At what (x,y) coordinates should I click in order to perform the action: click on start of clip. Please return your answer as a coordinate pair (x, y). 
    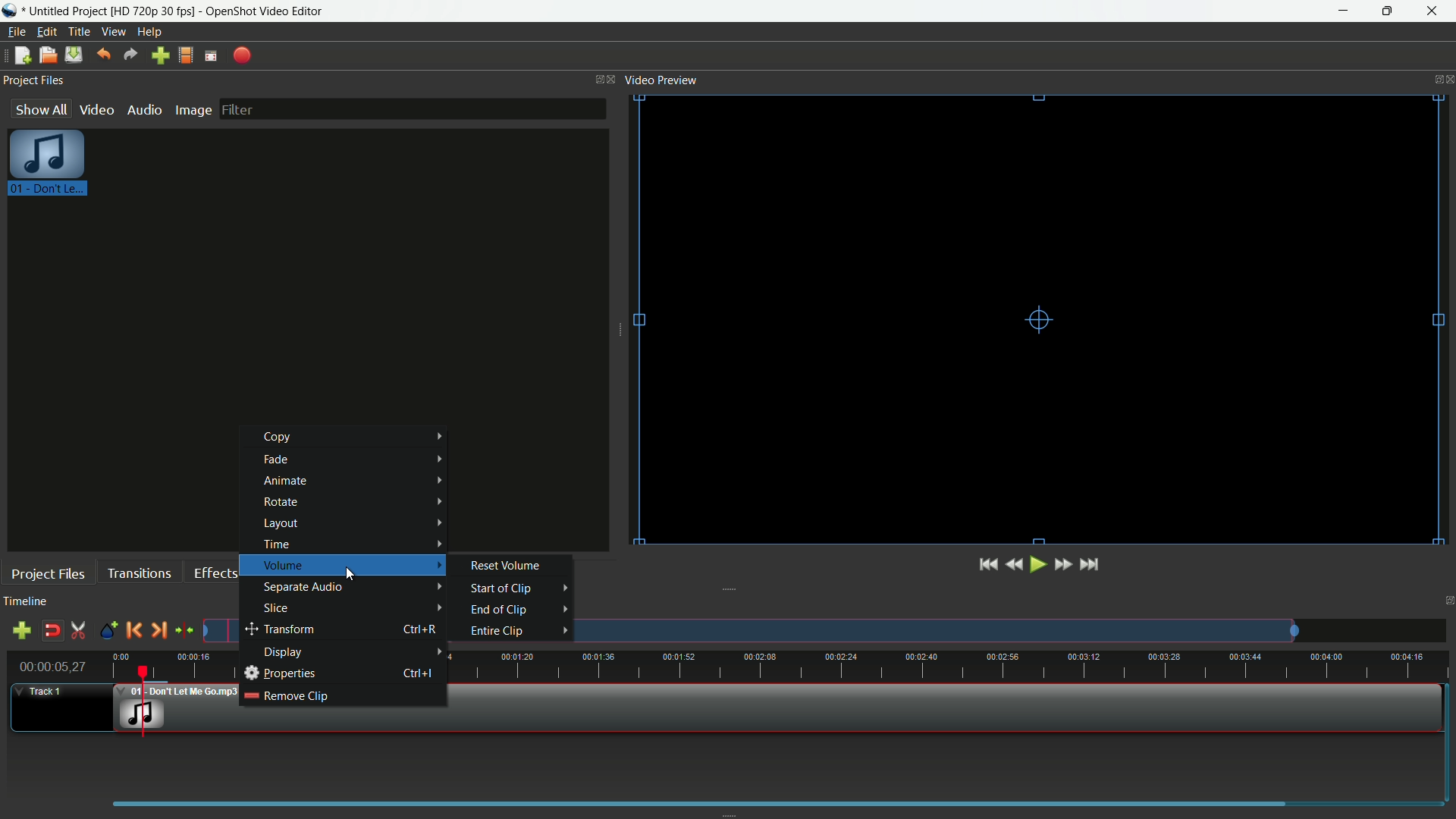
    Looking at the image, I should click on (504, 587).